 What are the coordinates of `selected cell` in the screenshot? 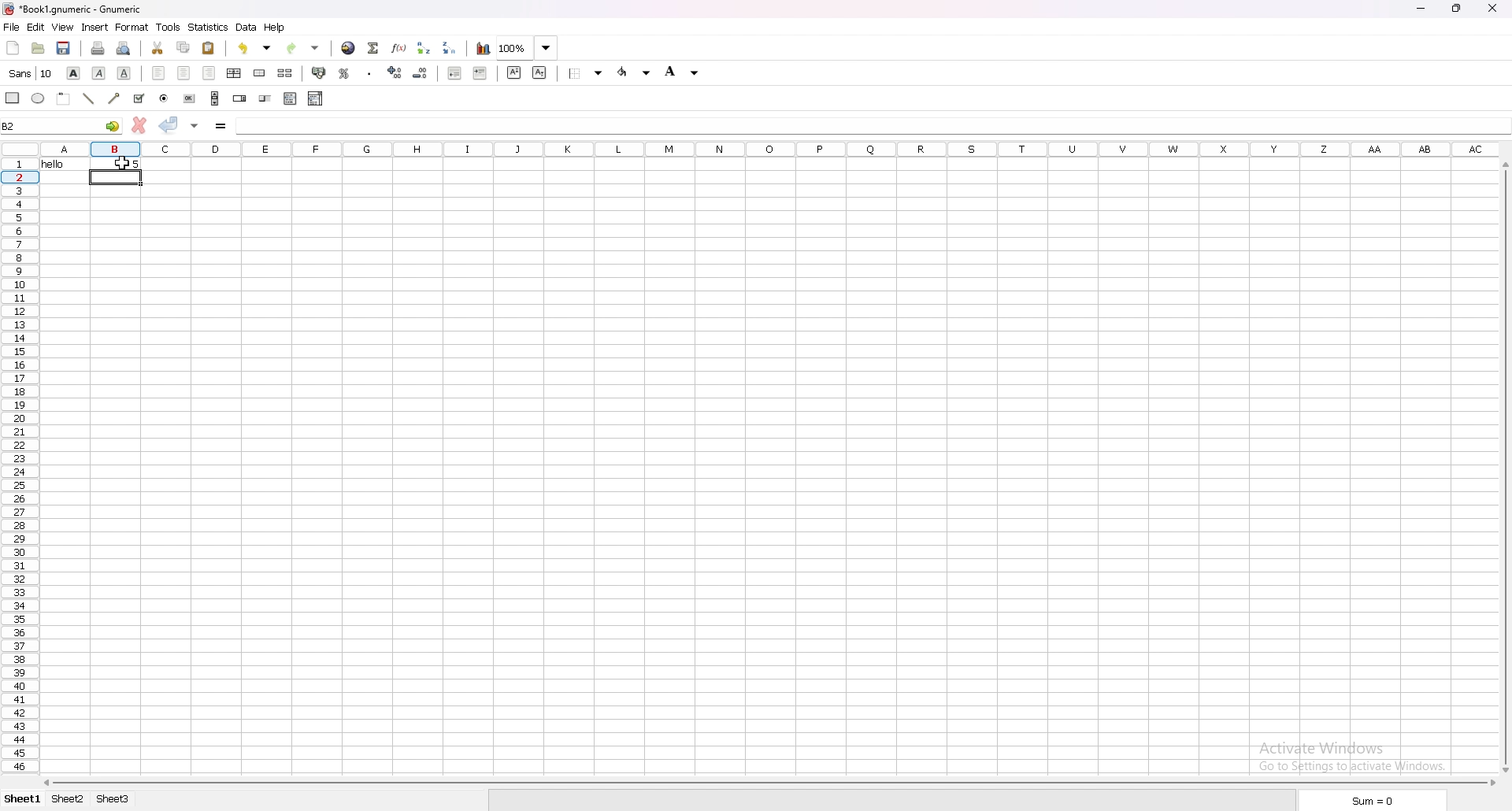 It's located at (63, 124).